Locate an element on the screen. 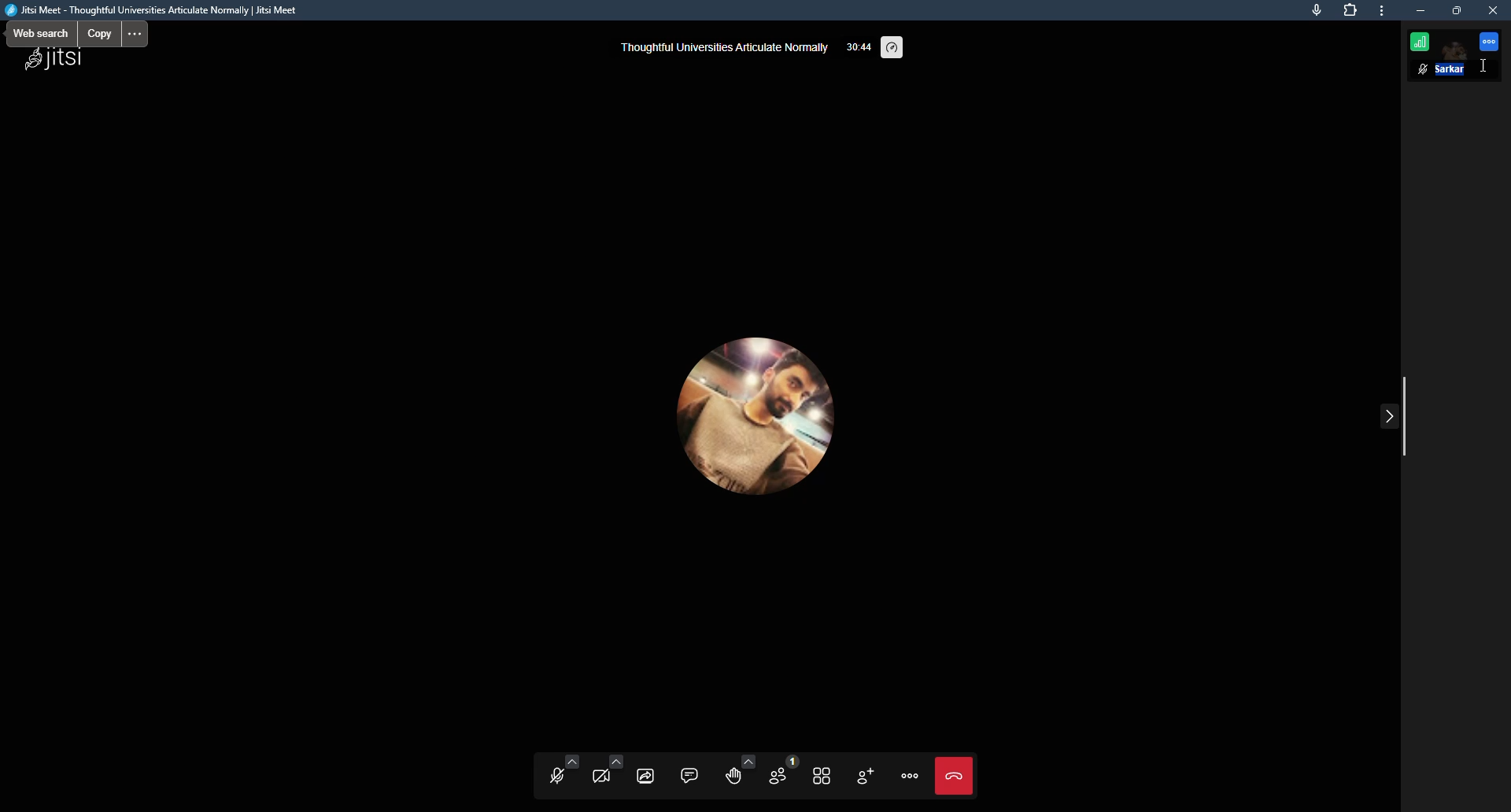 This screenshot has height=812, width=1511. maximize is located at coordinates (1457, 12).